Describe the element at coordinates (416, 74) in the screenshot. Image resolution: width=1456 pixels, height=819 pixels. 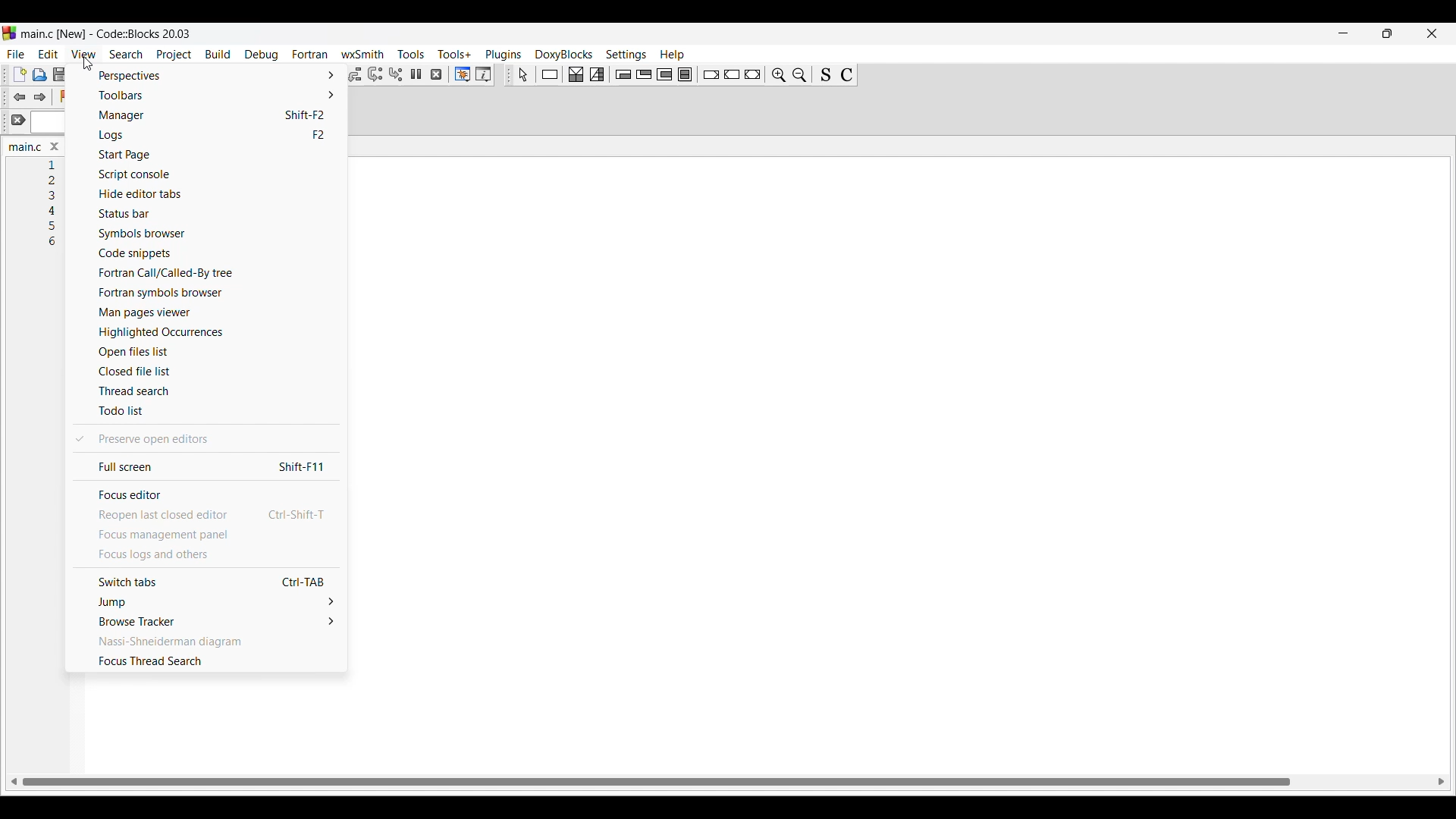
I see `Break debugger` at that location.